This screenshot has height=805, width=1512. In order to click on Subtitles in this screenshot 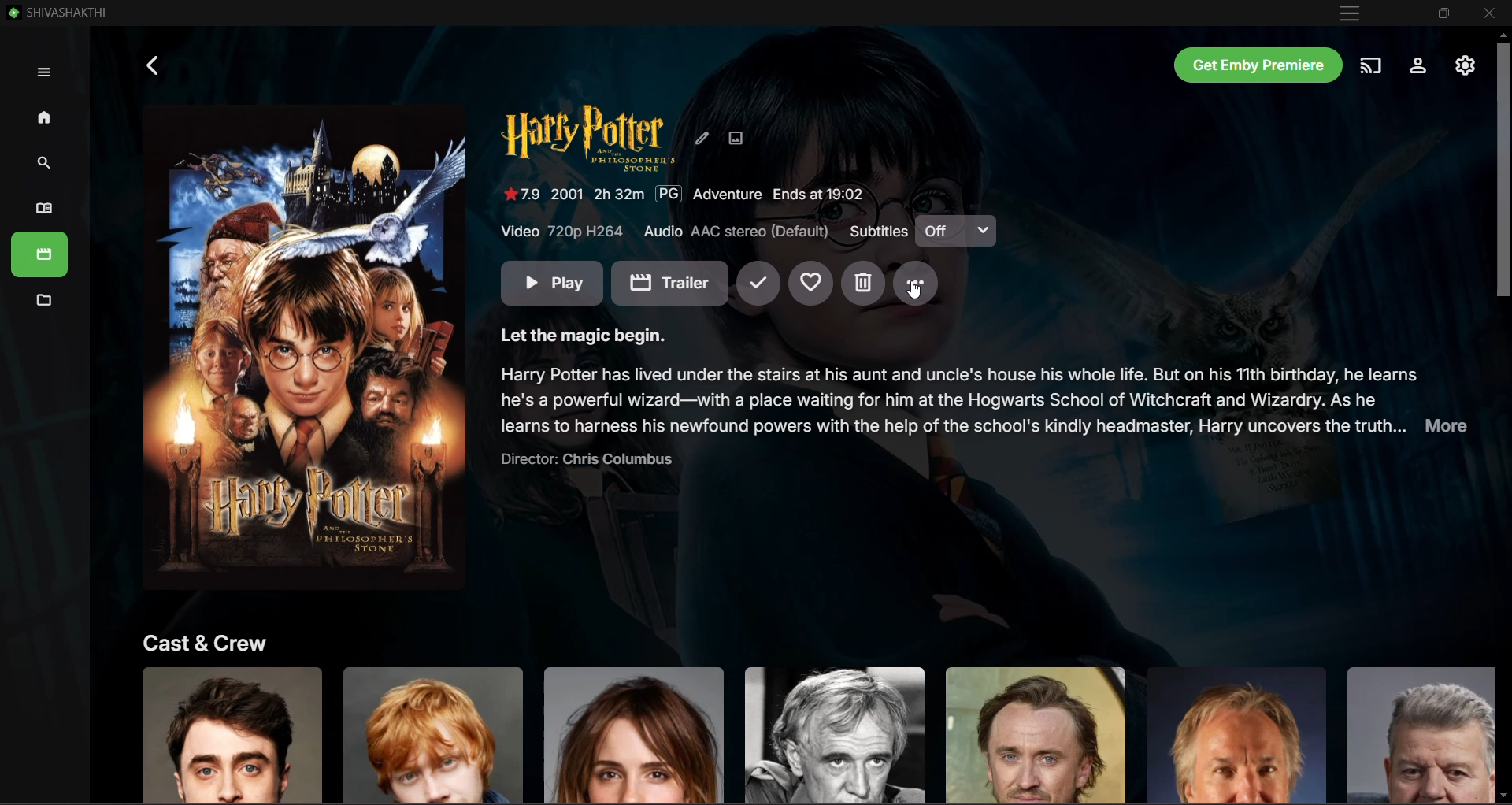, I will do `click(876, 231)`.